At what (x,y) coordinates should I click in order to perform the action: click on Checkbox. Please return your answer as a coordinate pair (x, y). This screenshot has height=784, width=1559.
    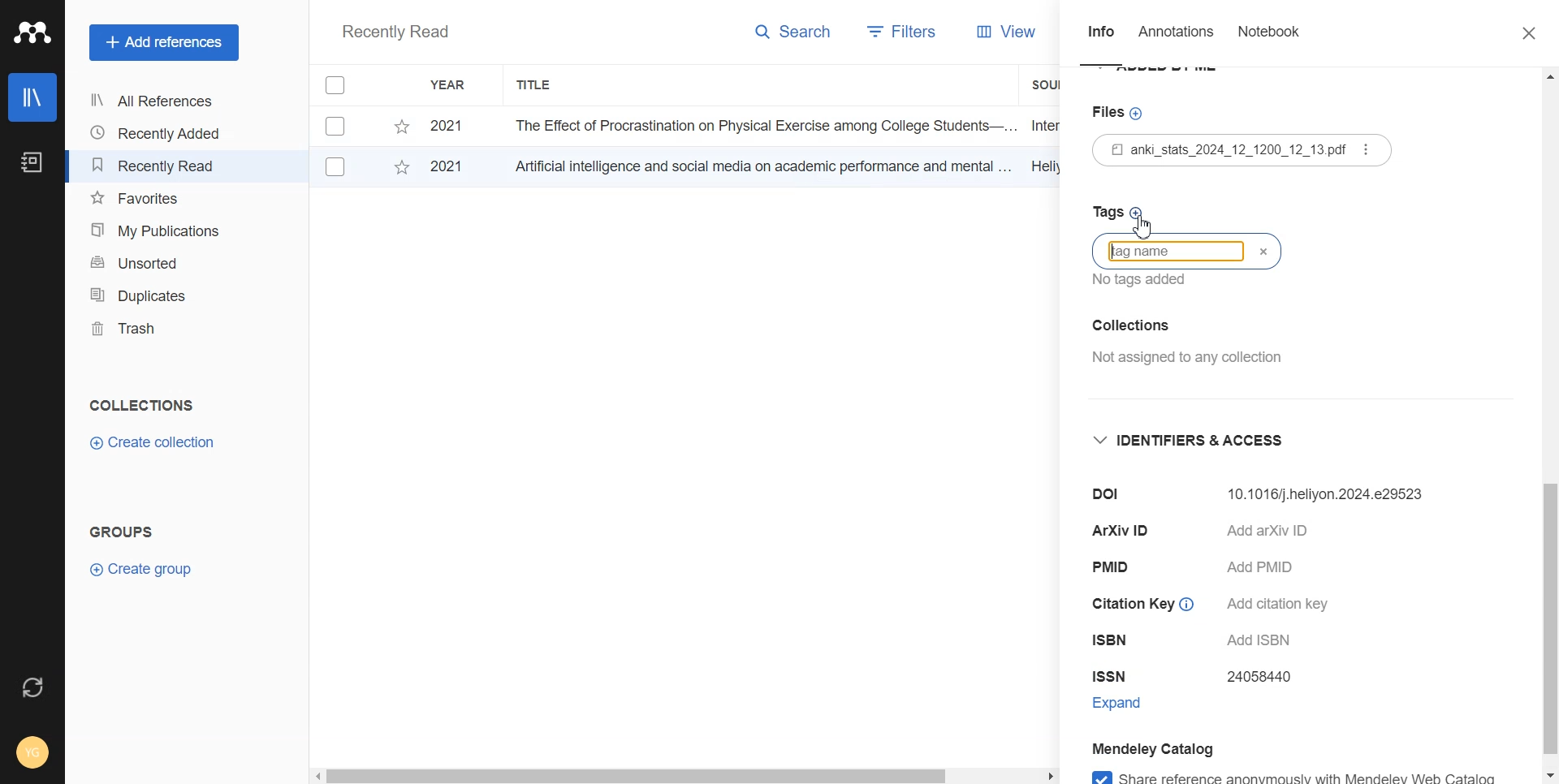
    Looking at the image, I should click on (336, 167).